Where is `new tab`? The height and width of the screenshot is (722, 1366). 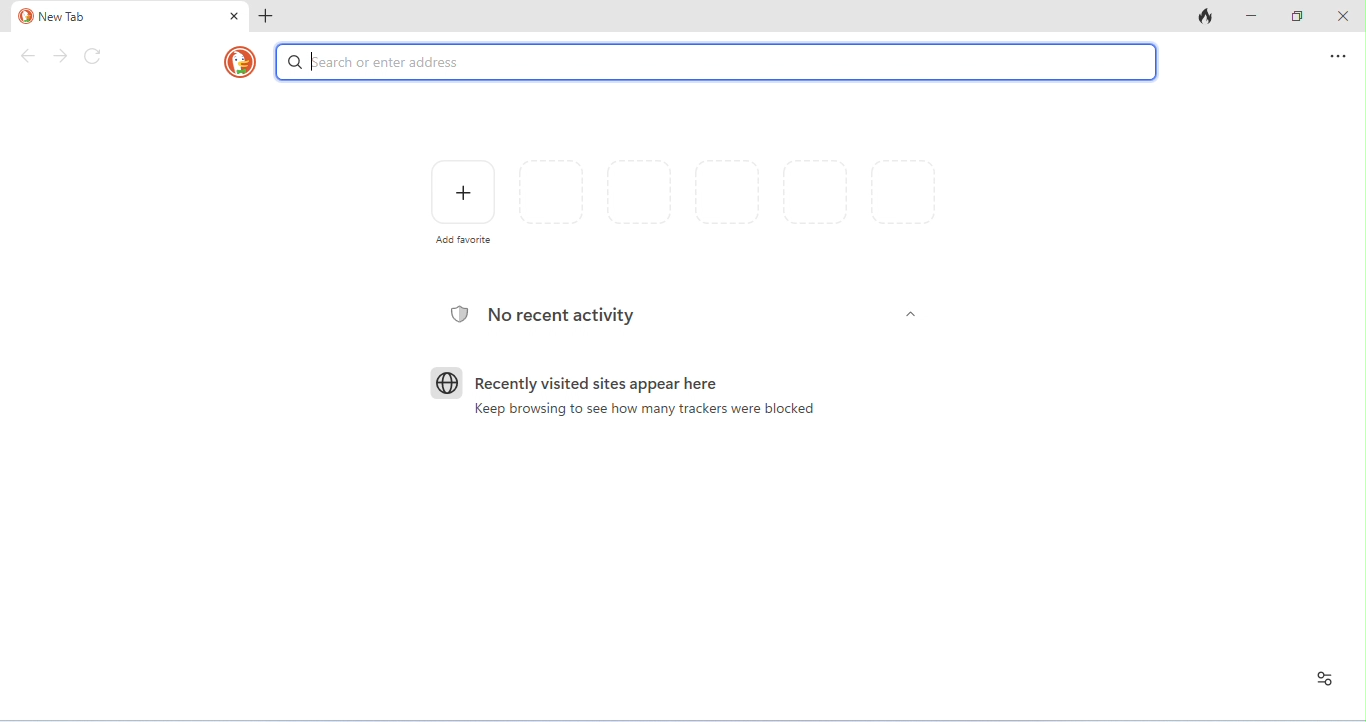
new tab is located at coordinates (118, 17).